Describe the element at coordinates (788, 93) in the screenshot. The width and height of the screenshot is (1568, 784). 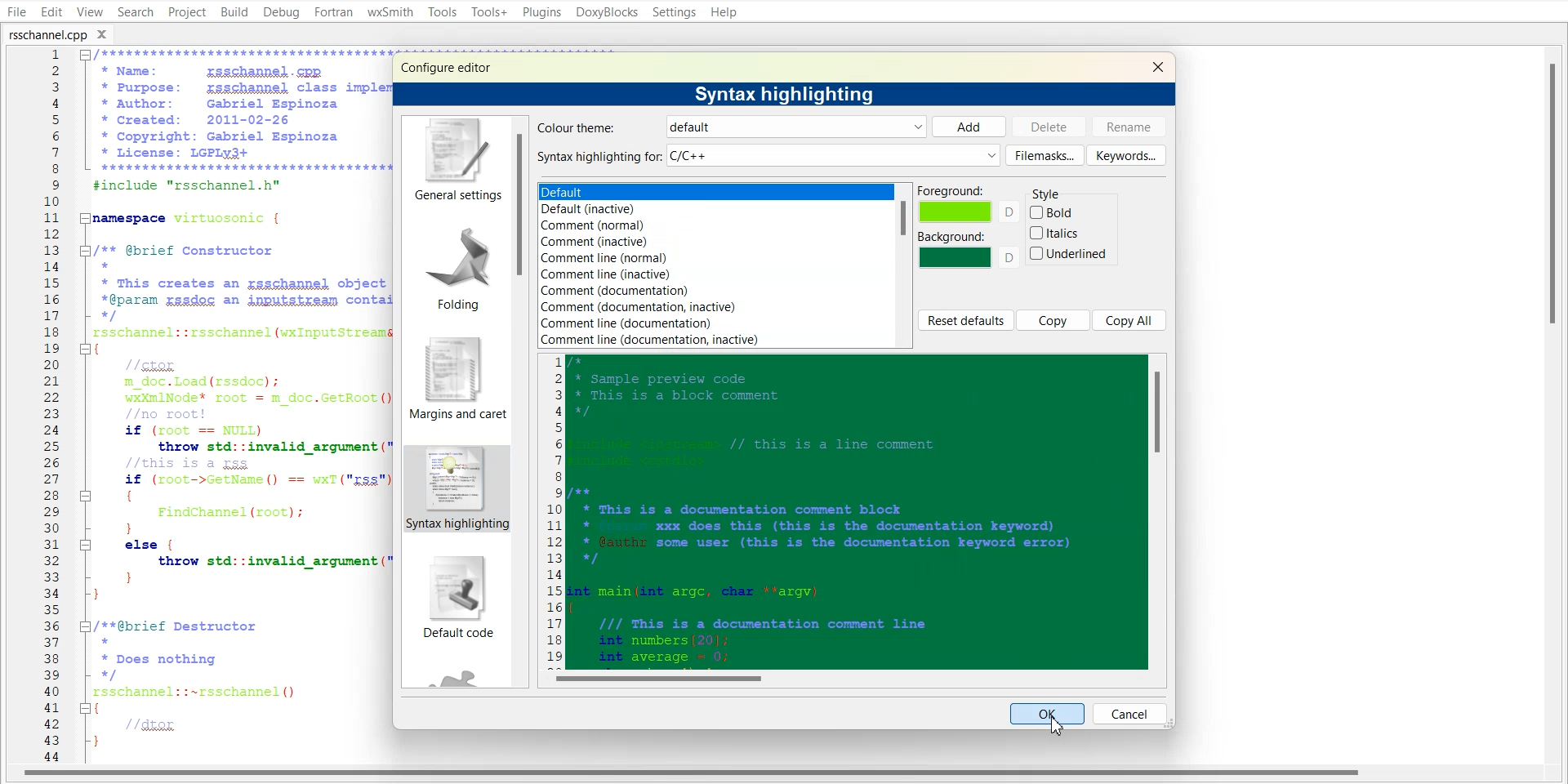
I see `Syntax highlighting` at that location.